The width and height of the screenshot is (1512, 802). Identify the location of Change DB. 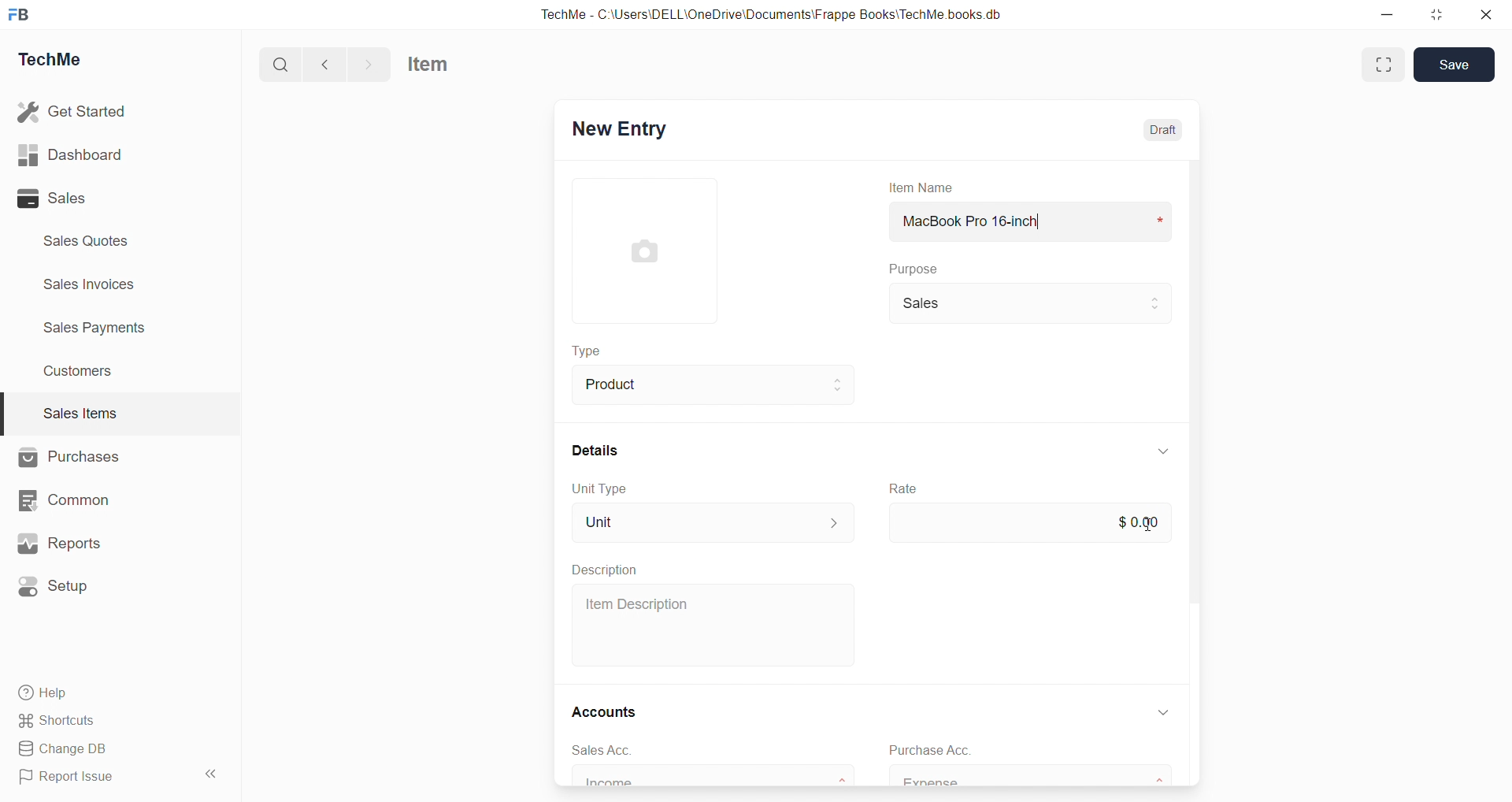
(64, 748).